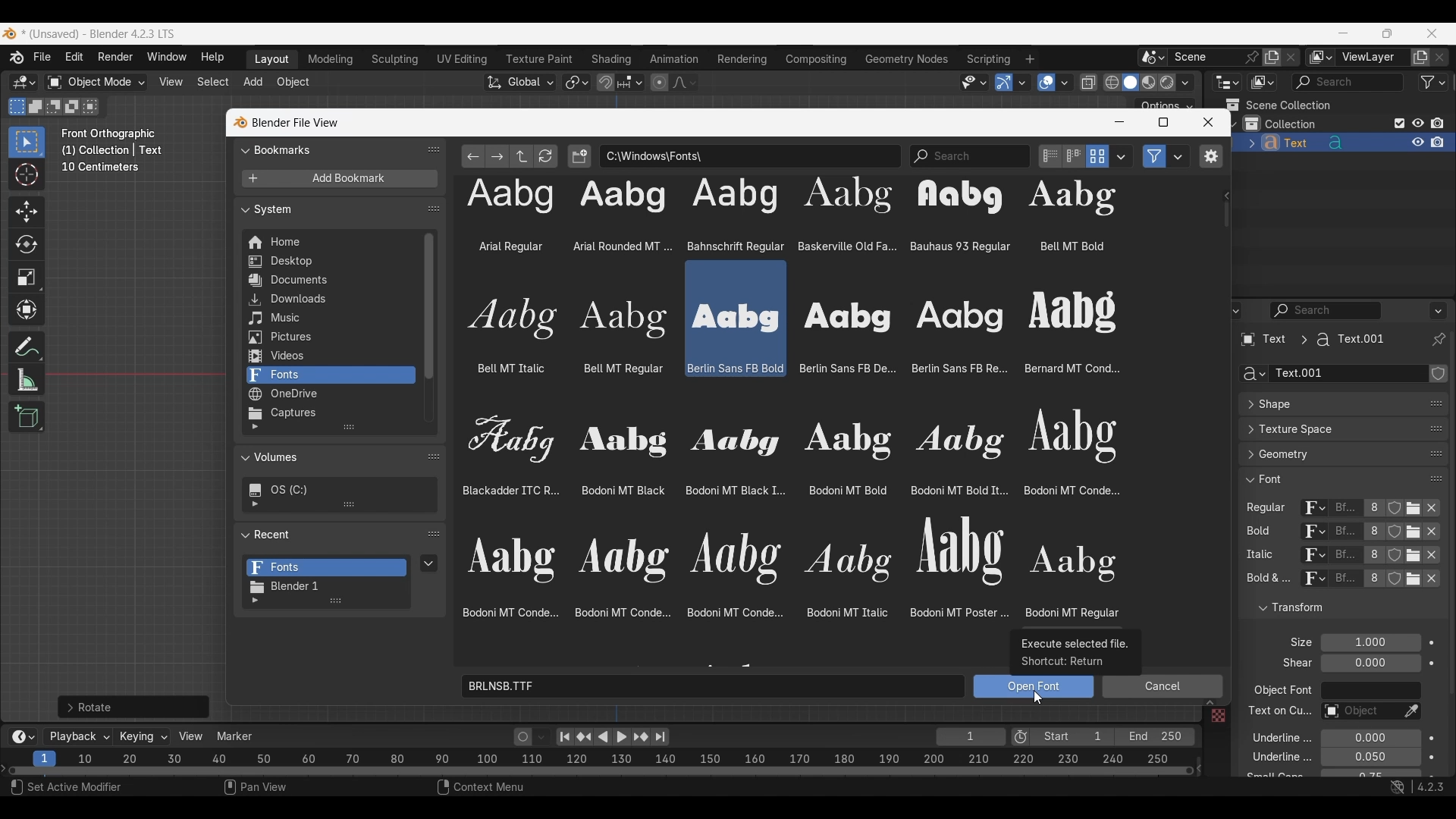 The image size is (1456, 819). I want to click on Toggle X-ray, so click(1089, 83).